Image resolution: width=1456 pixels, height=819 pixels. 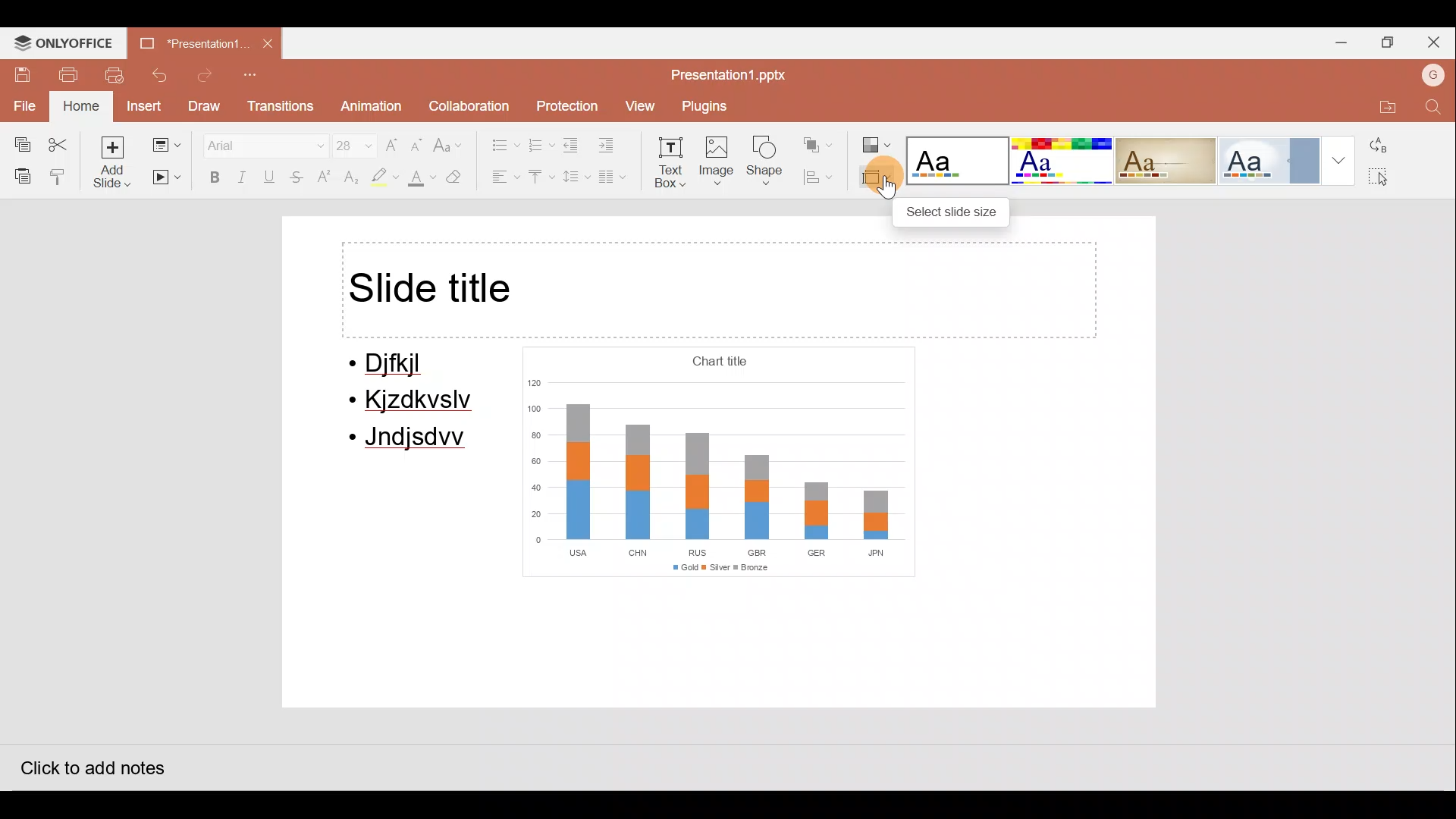 I want to click on Clear style, so click(x=463, y=177).